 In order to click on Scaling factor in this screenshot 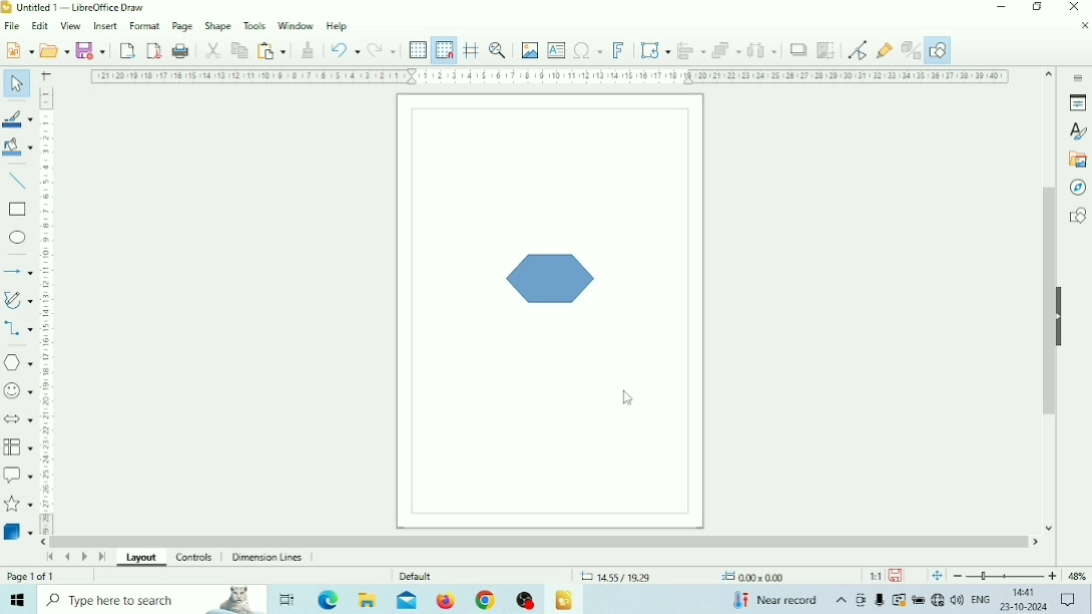, I will do `click(875, 576)`.